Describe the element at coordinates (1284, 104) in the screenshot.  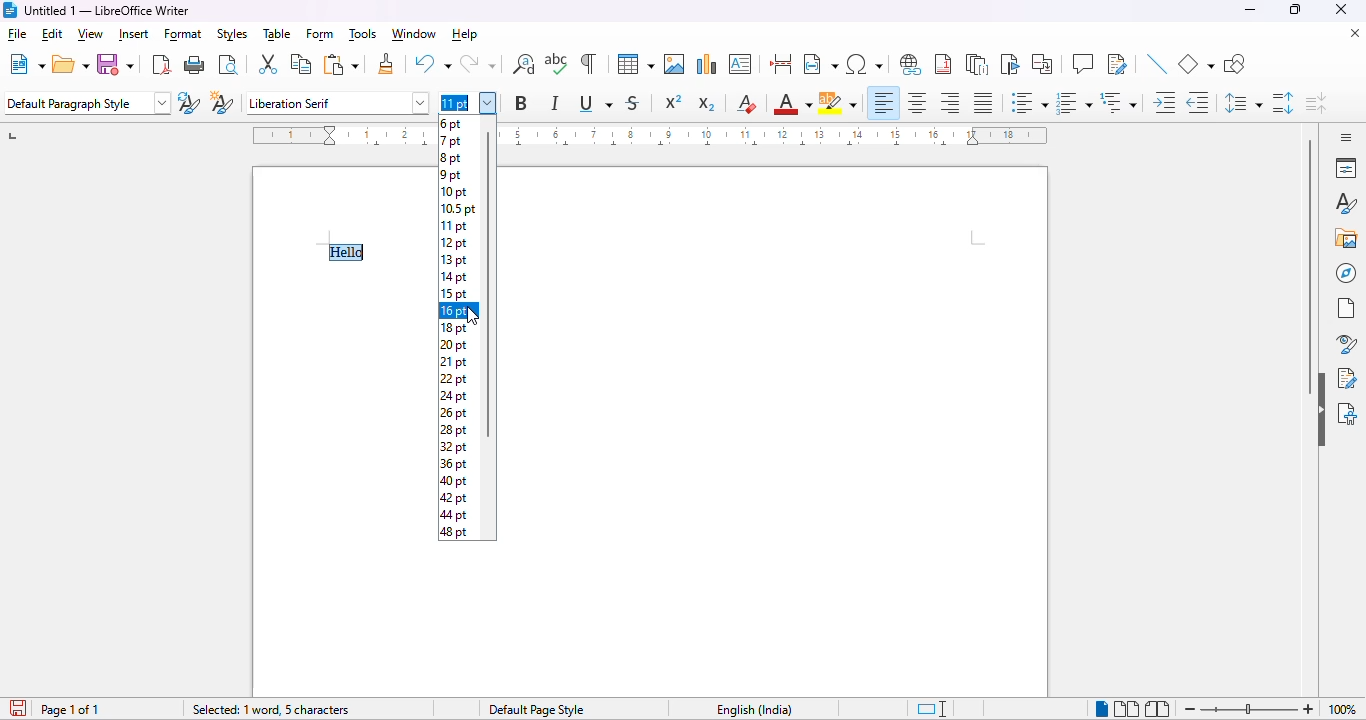
I see `increase paragraph spacing` at that location.